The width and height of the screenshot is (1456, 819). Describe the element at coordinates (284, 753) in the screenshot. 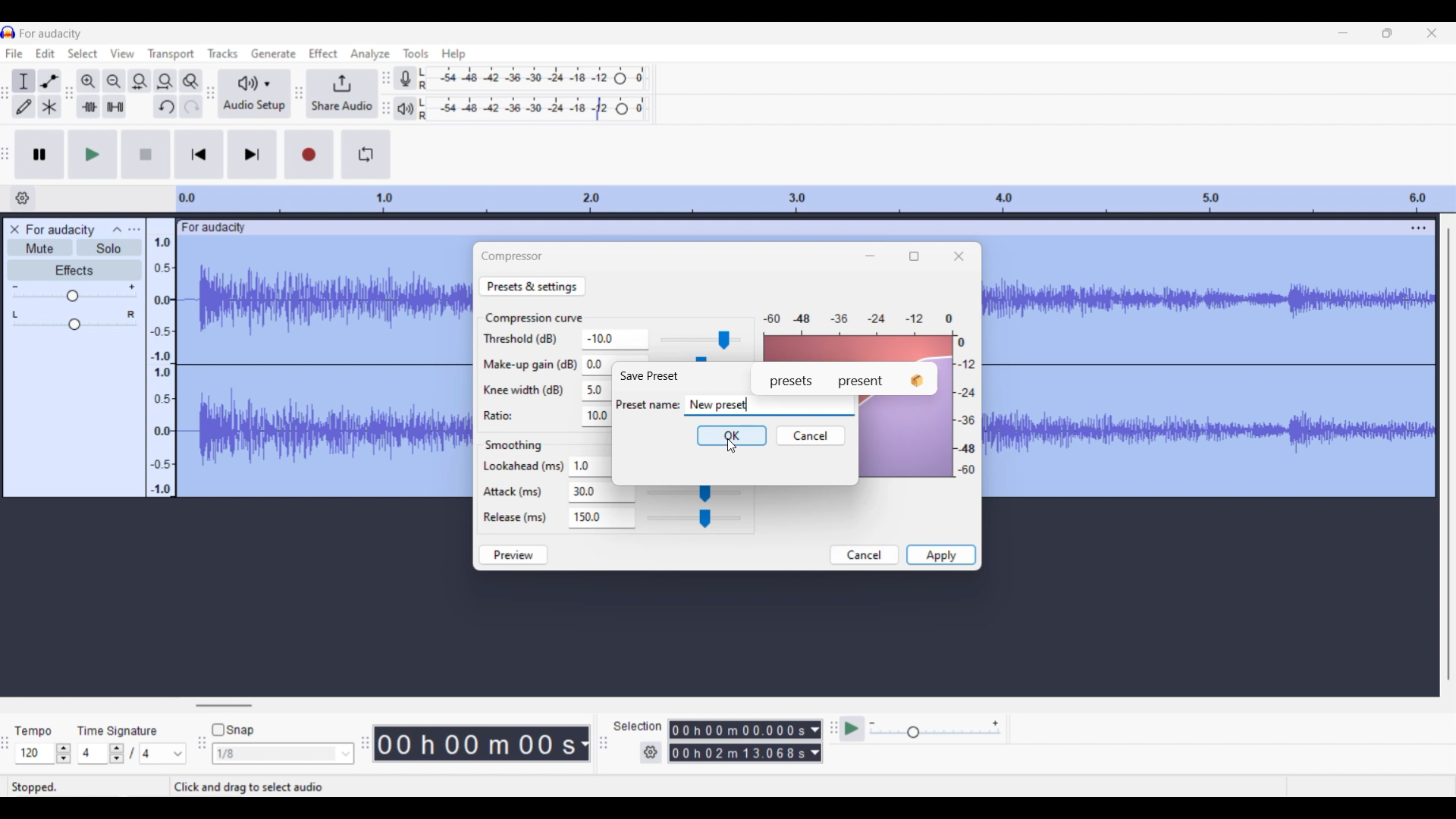

I see `Snap options` at that location.